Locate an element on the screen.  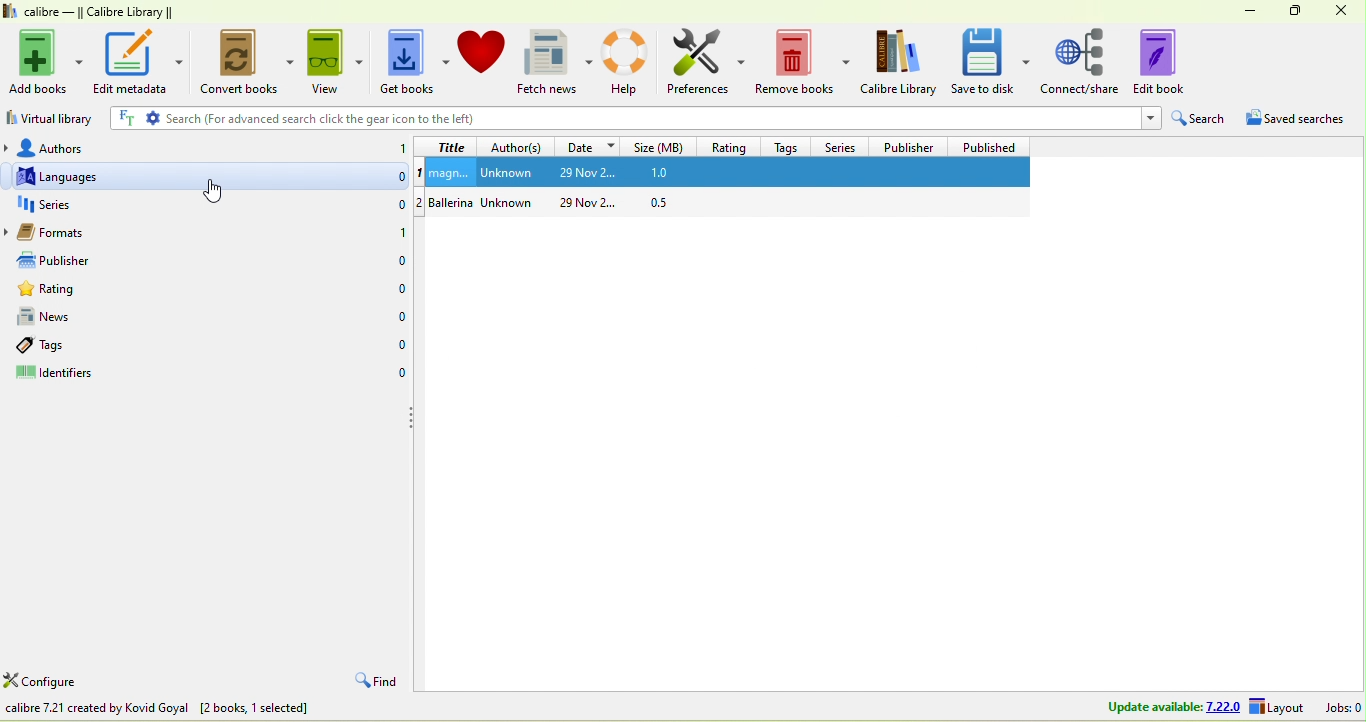
0 is located at coordinates (392, 207).